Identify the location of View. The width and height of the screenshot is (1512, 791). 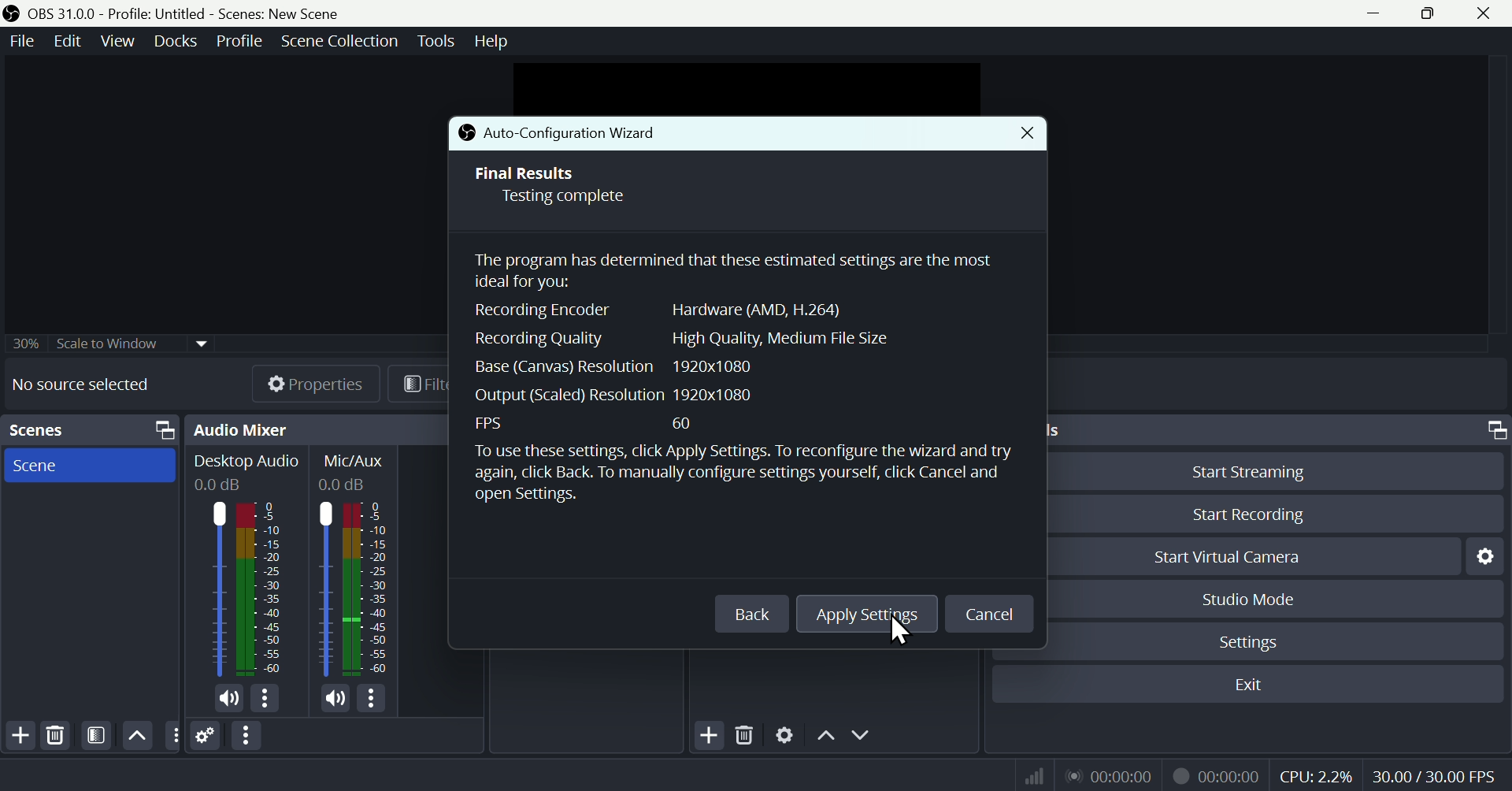
(114, 41).